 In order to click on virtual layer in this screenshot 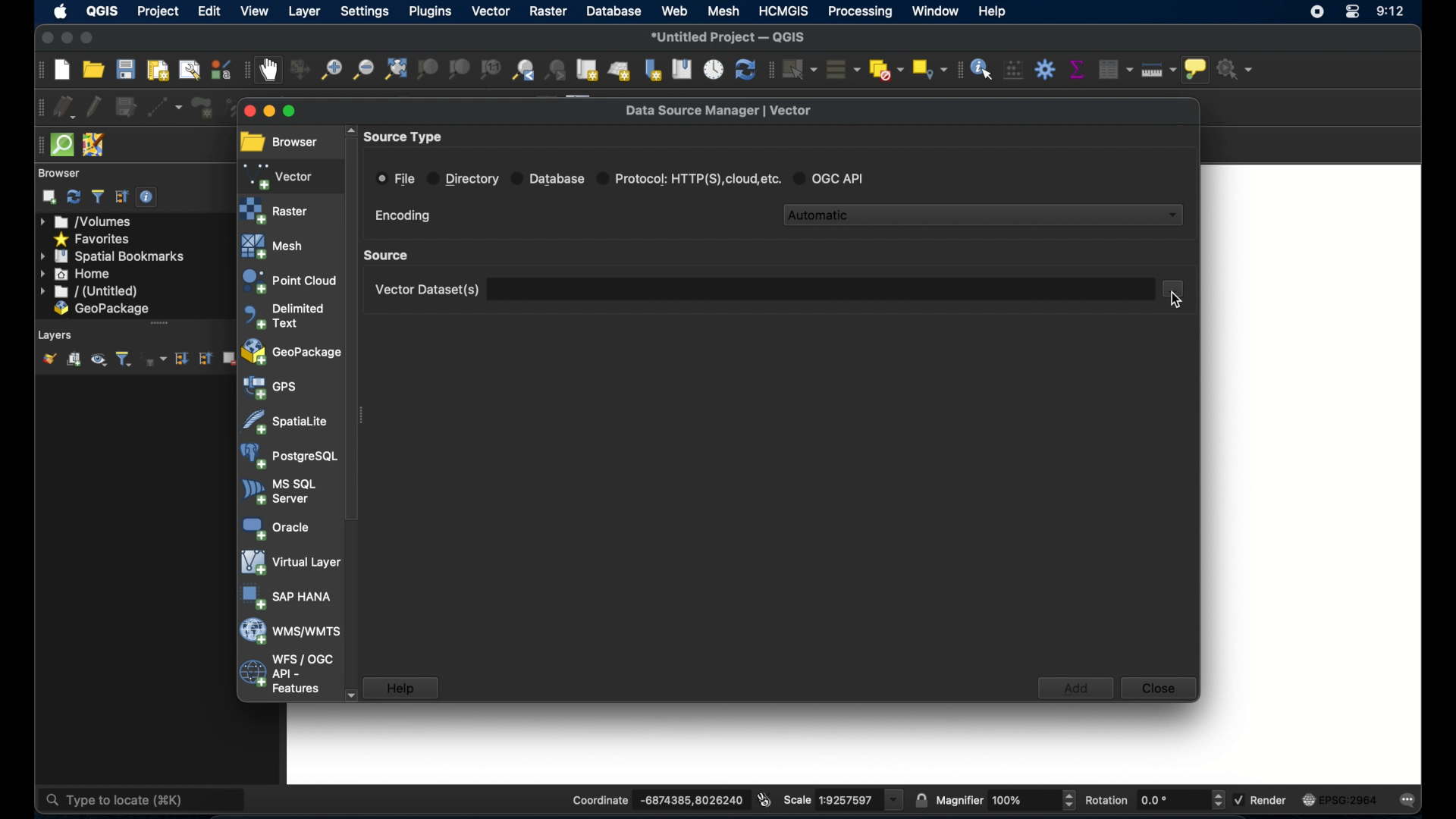, I will do `click(288, 563)`.